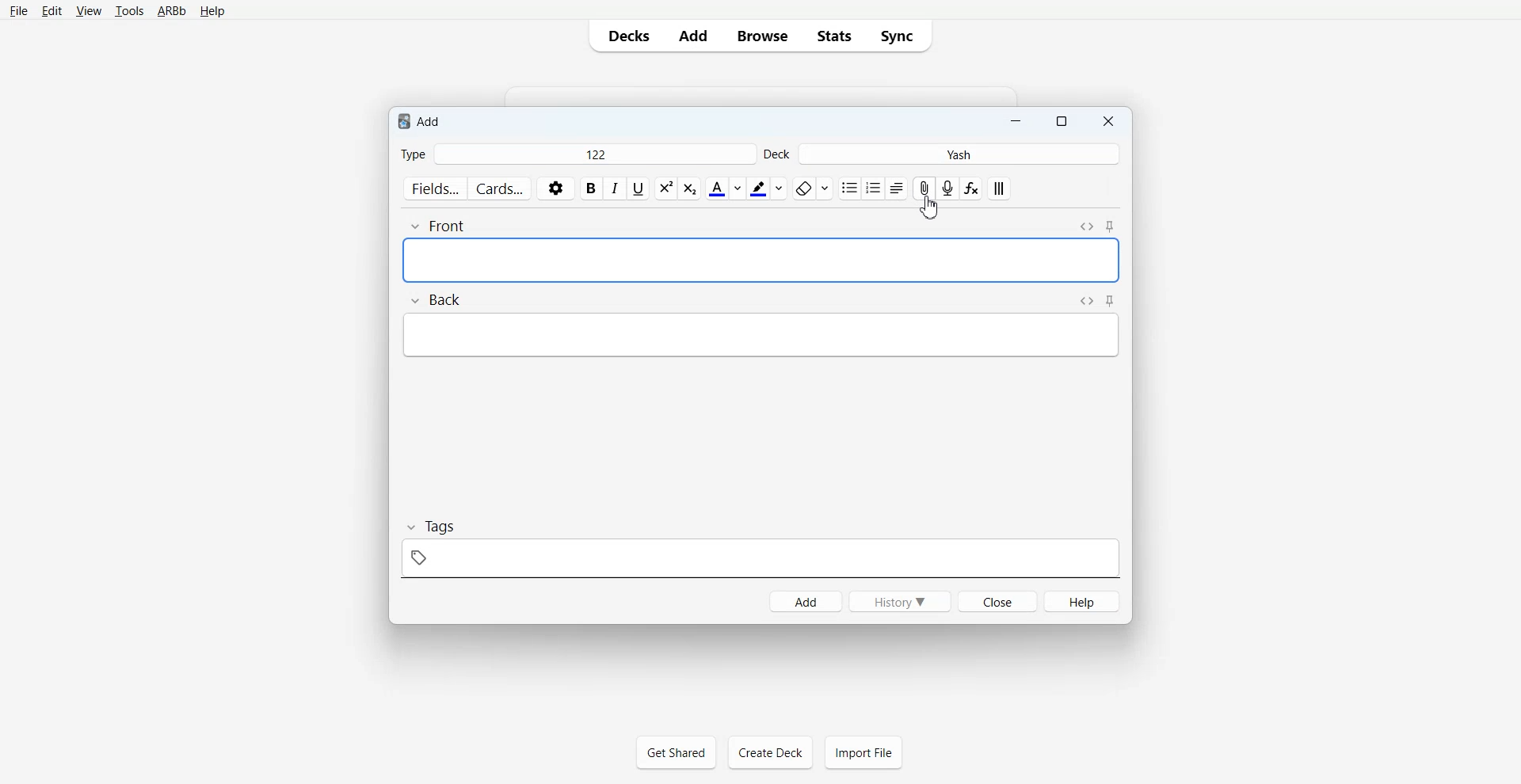 Image resolution: width=1521 pixels, height=784 pixels. I want to click on Highlight Text Color, so click(768, 188).